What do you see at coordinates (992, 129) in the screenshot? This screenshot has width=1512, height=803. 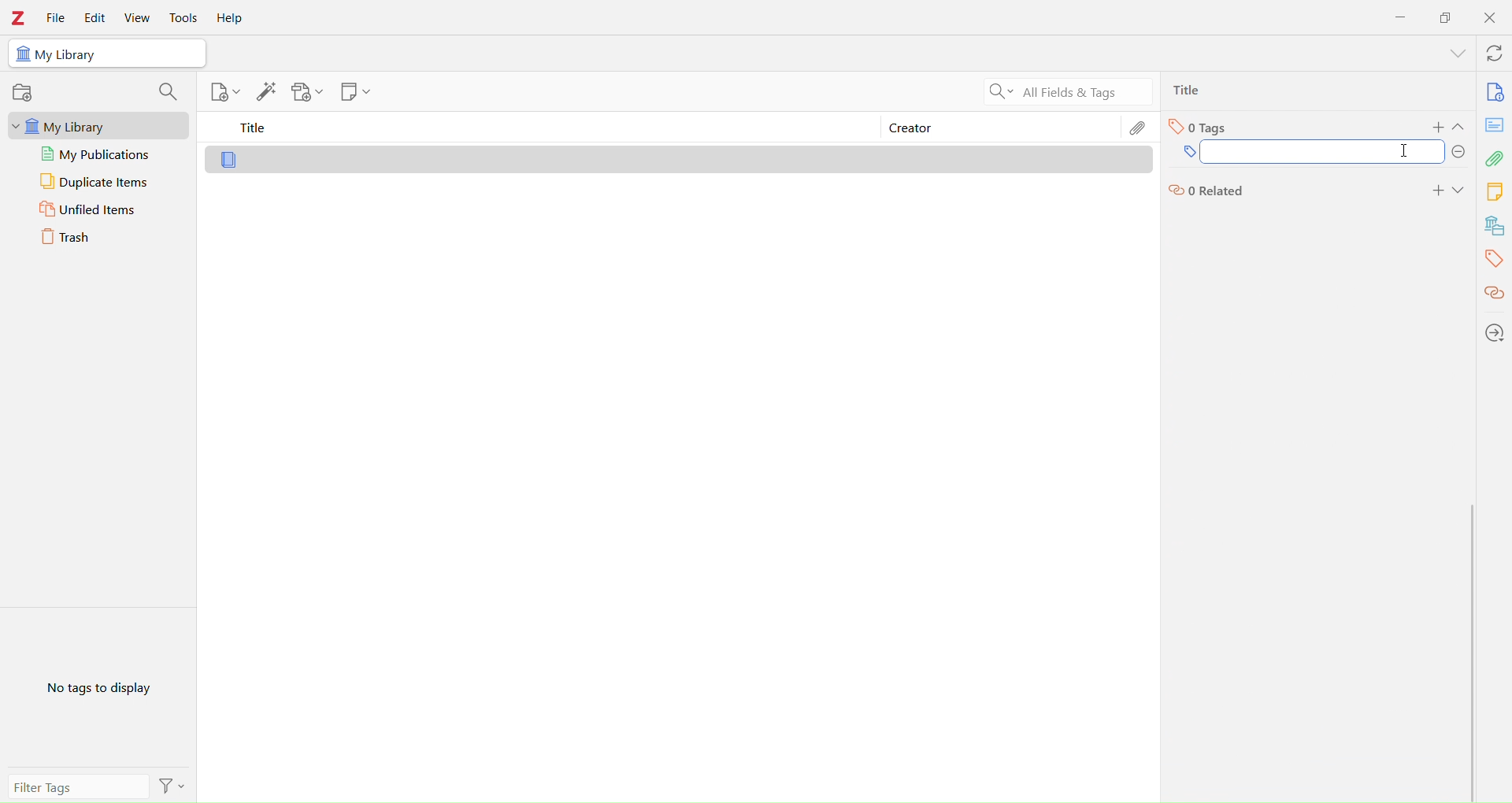 I see `Creator` at bounding box center [992, 129].